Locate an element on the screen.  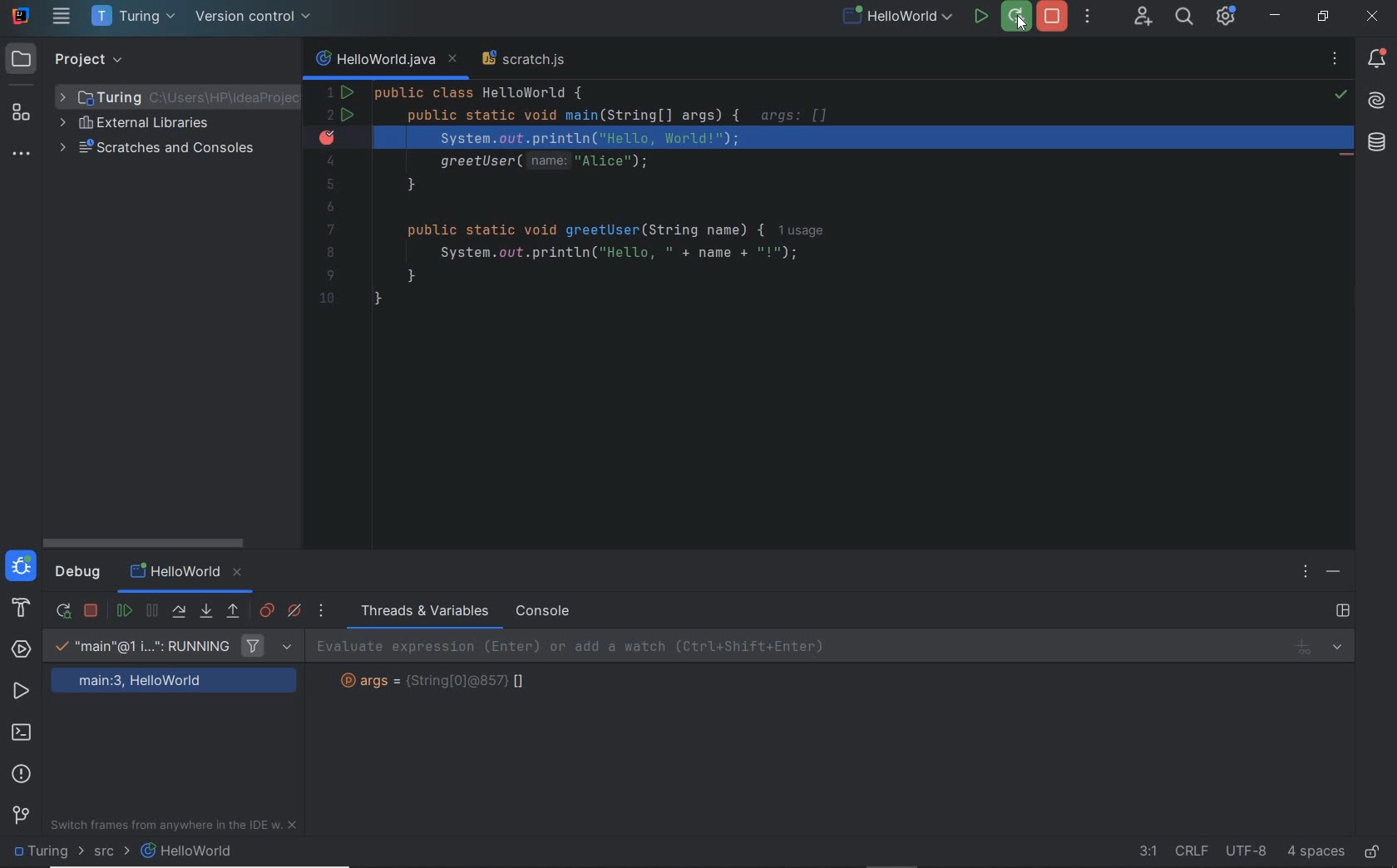
external libraries is located at coordinates (136, 125).